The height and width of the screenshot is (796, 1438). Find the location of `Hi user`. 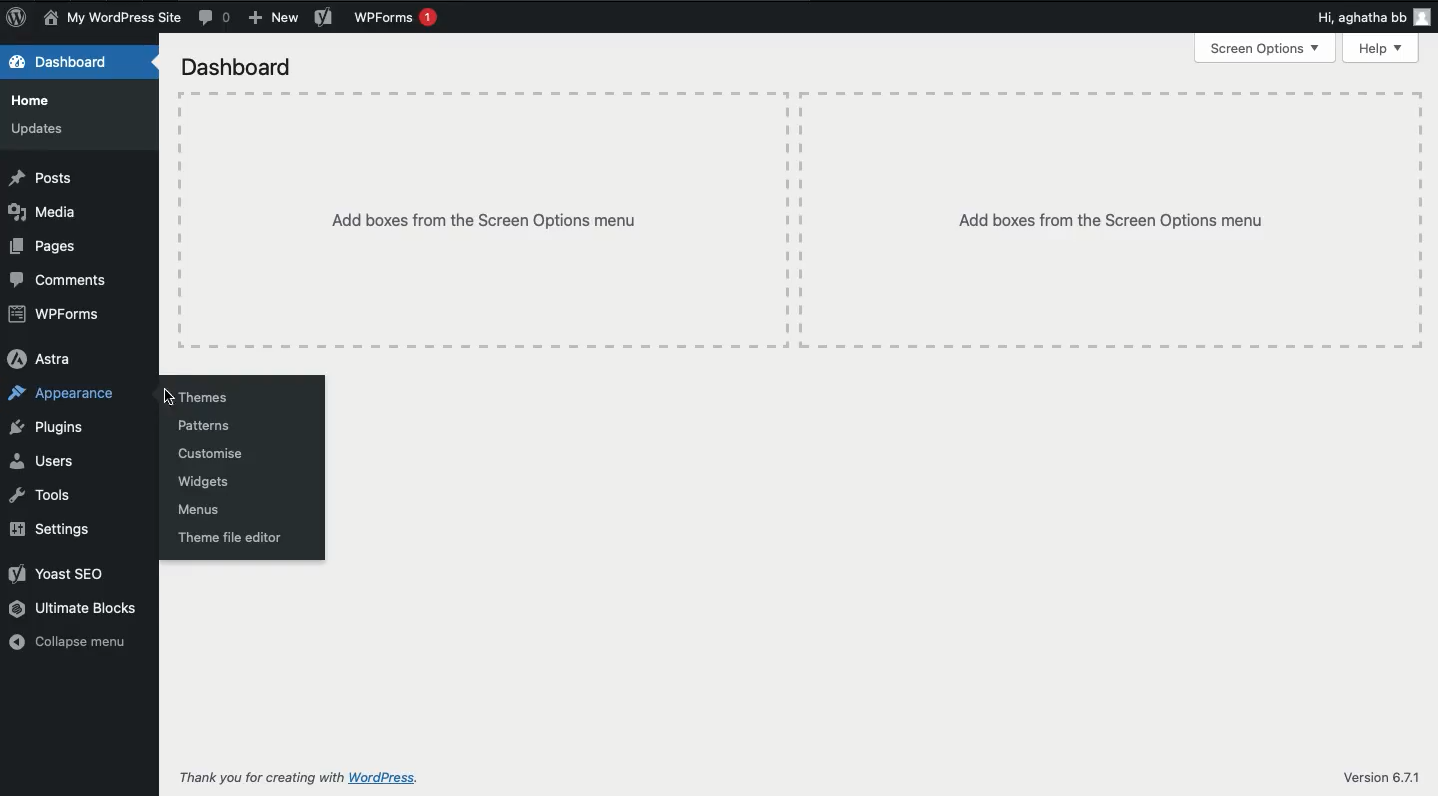

Hi user is located at coordinates (1371, 18).